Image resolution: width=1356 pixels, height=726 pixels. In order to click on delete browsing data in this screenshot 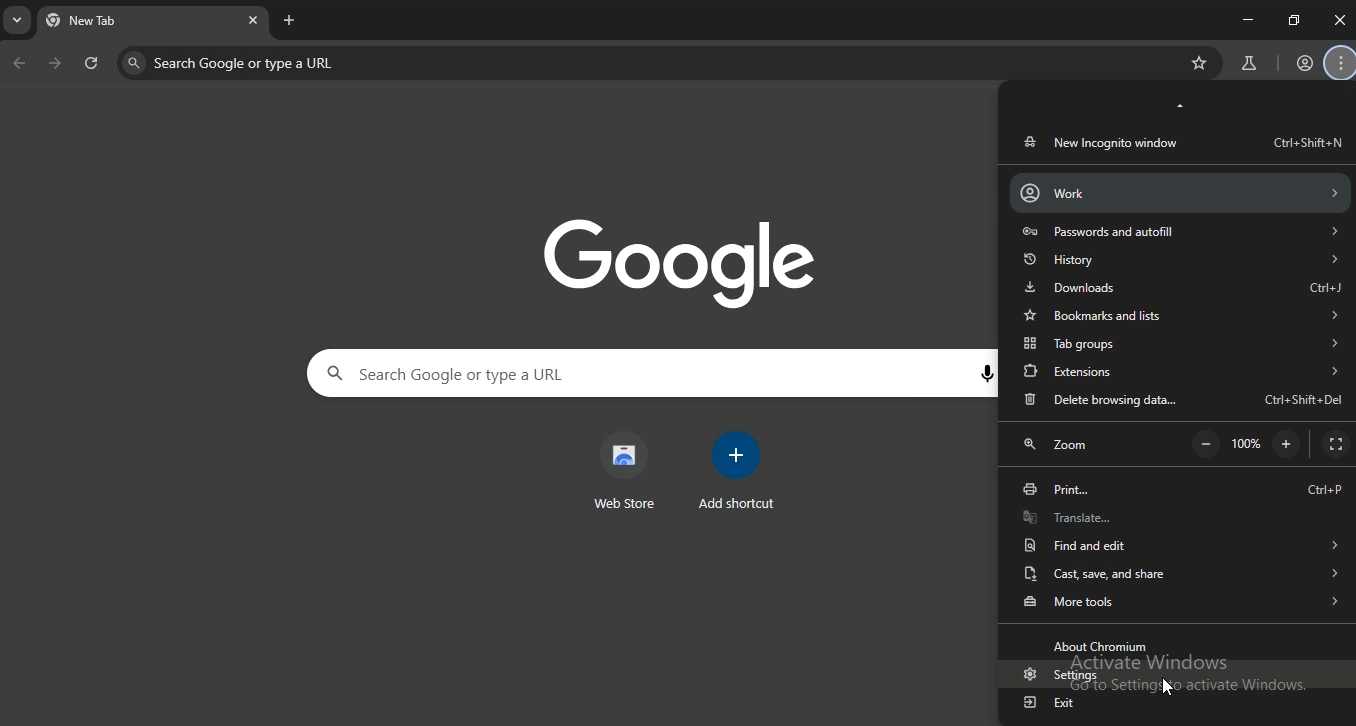, I will do `click(1182, 401)`.